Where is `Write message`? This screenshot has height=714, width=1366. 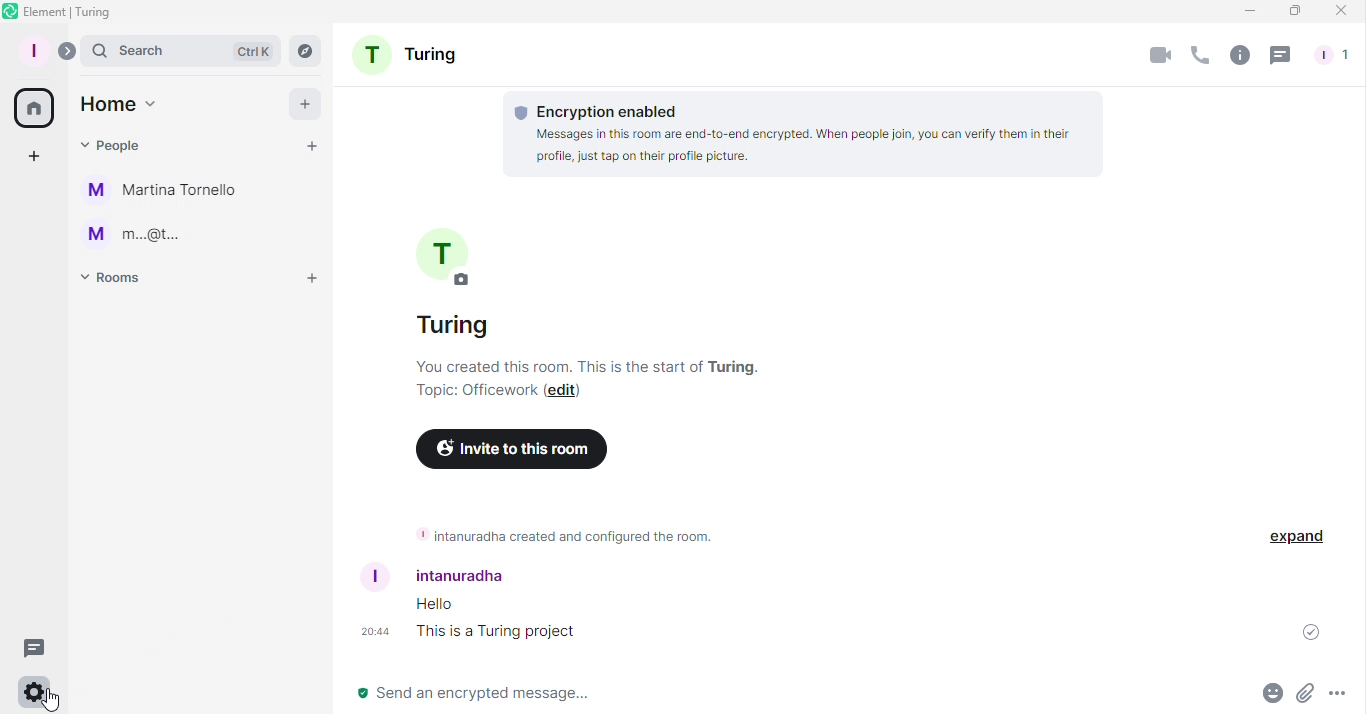 Write message is located at coordinates (793, 692).